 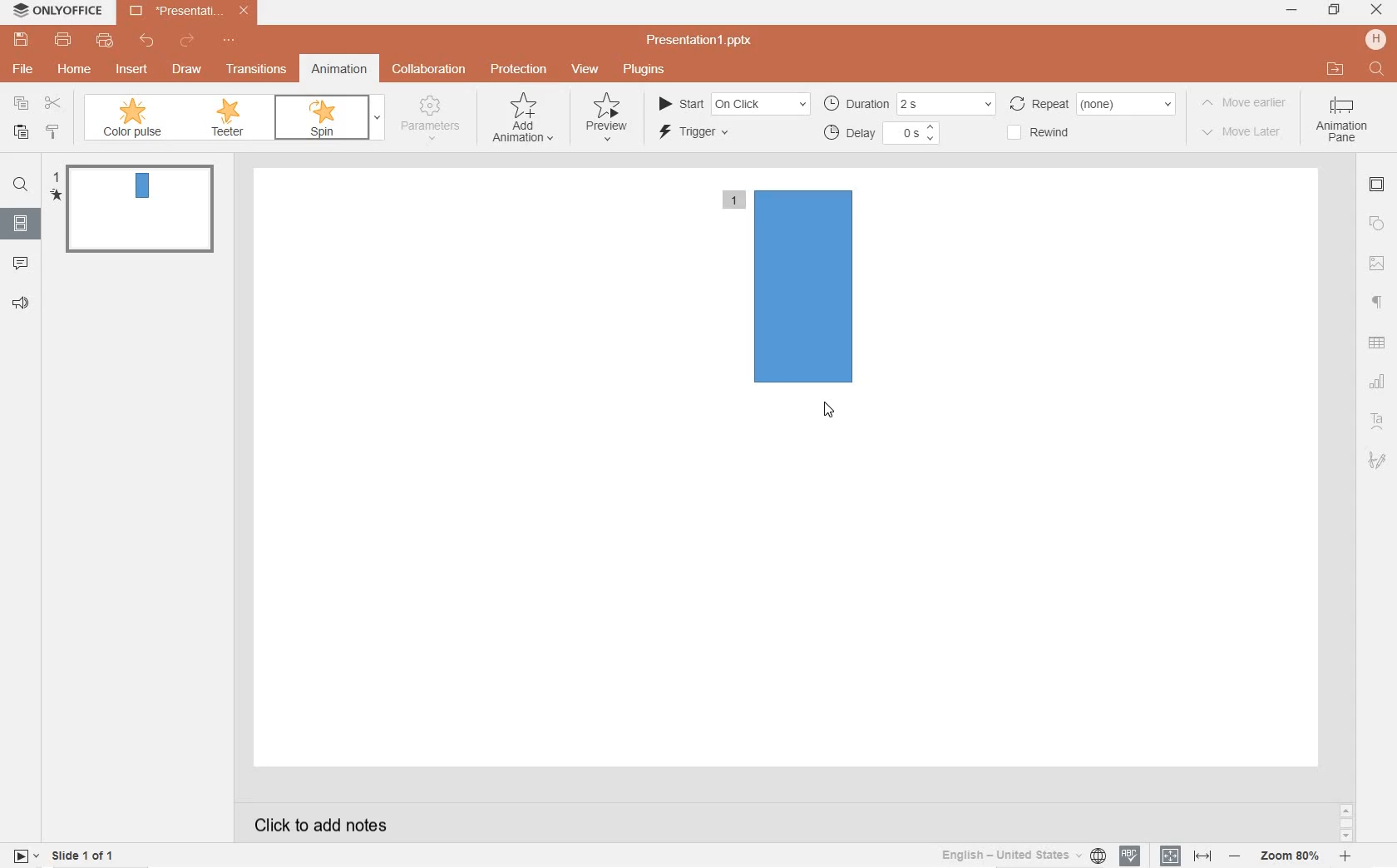 What do you see at coordinates (230, 119) in the screenshot?
I see `Teeter` at bounding box center [230, 119].